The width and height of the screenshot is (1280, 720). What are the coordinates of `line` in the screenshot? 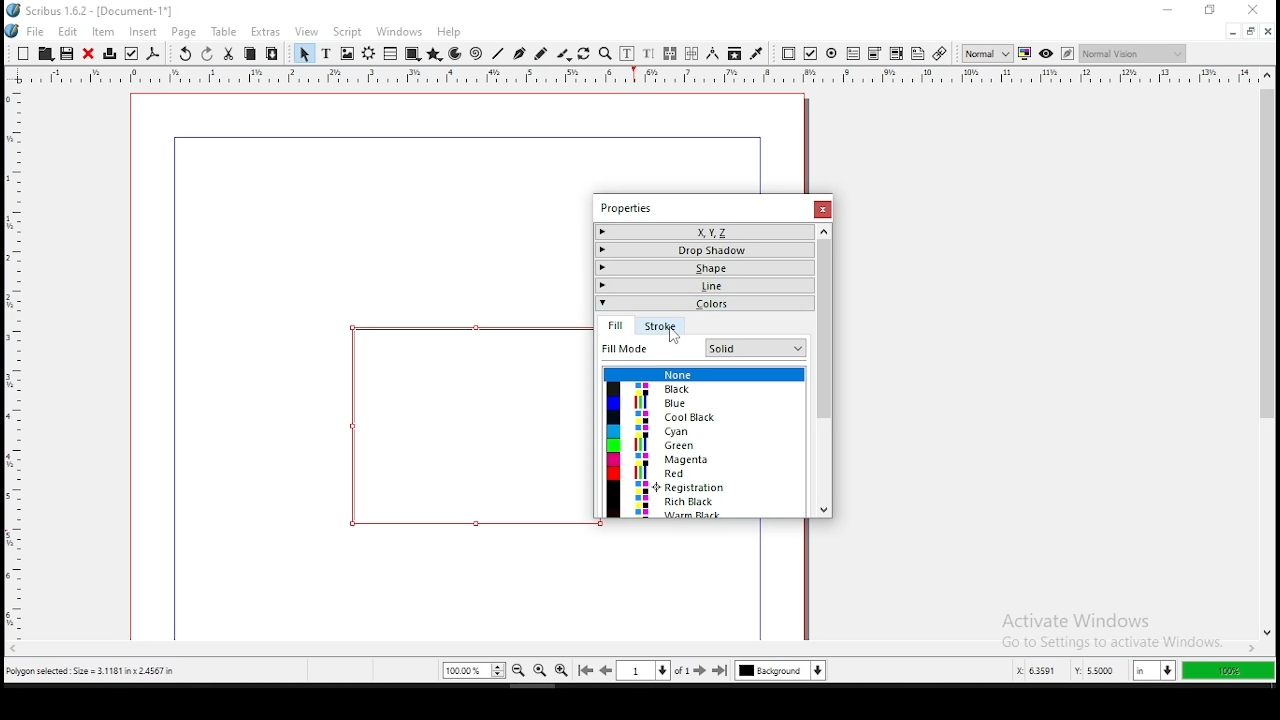 It's located at (498, 54).